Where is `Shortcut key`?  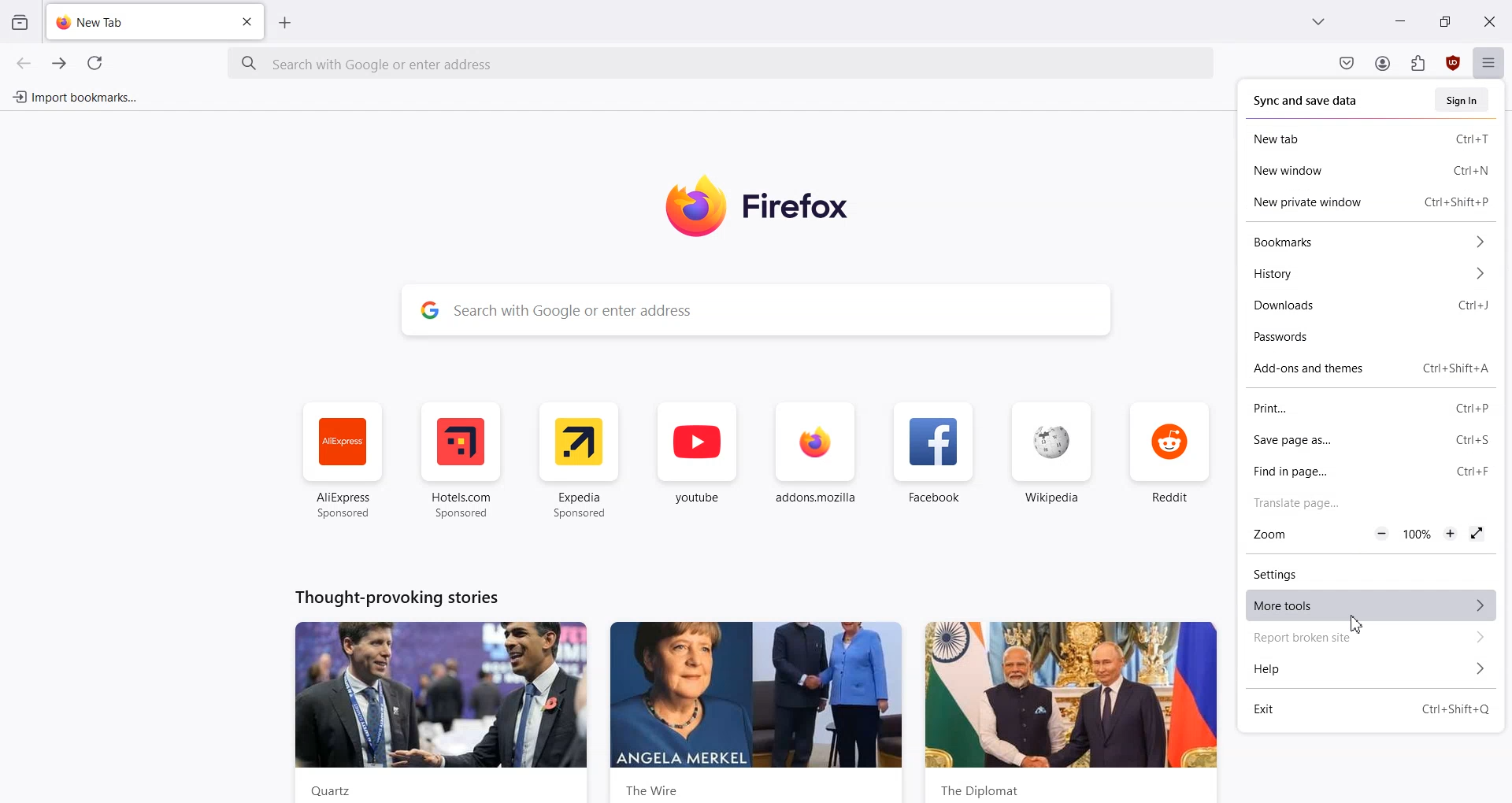 Shortcut key is located at coordinates (1471, 306).